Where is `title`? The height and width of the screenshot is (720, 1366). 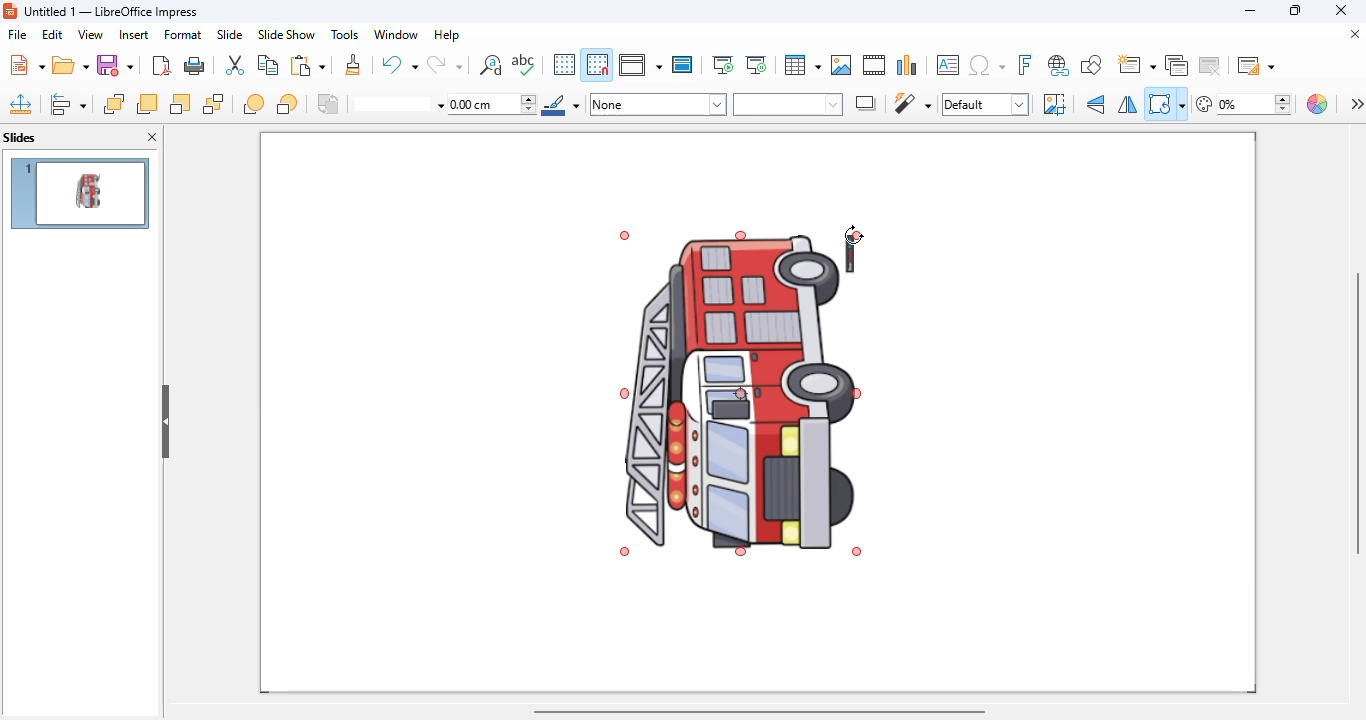 title is located at coordinates (111, 12).